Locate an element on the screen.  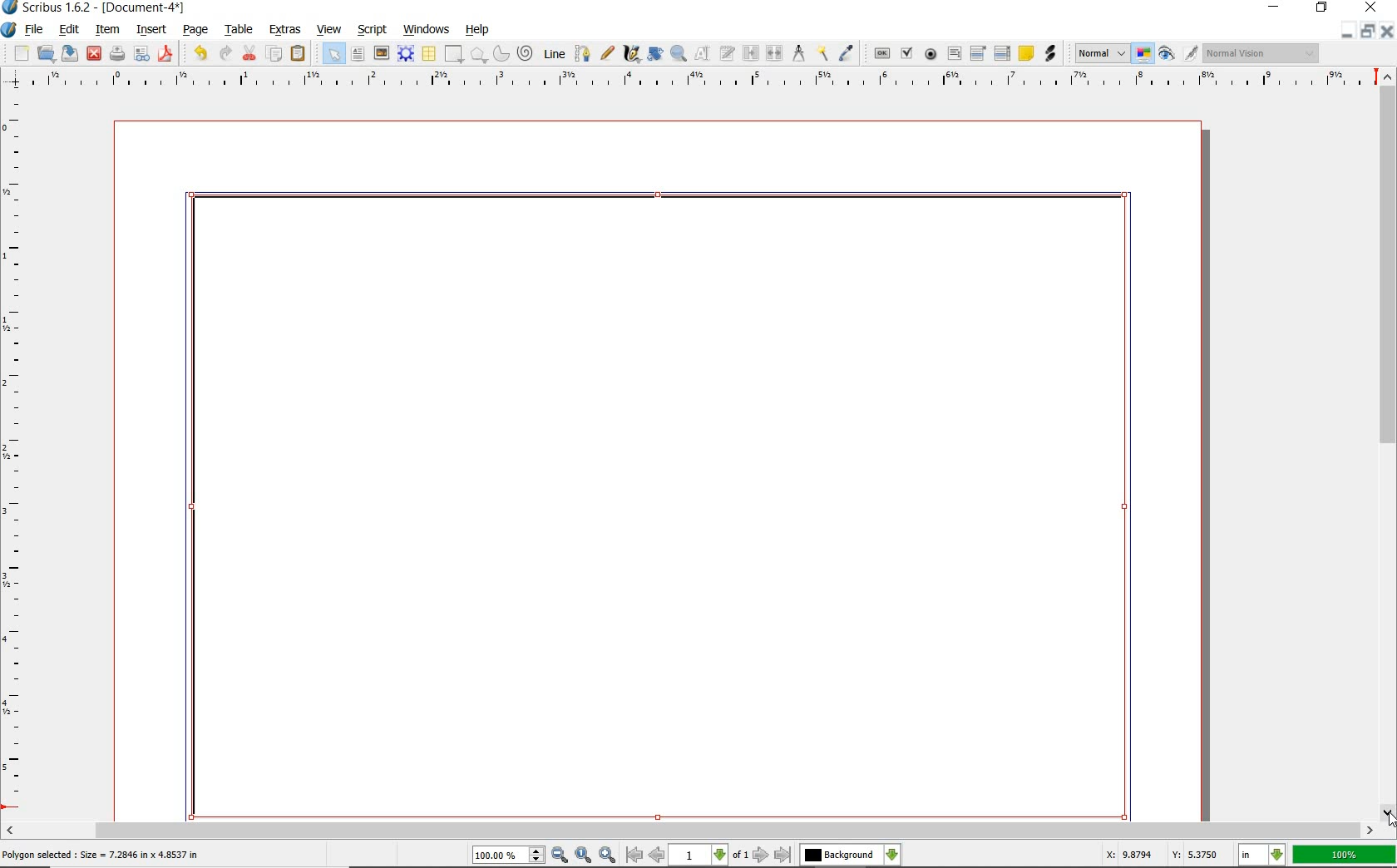
Normal Vision is located at coordinates (1261, 52).